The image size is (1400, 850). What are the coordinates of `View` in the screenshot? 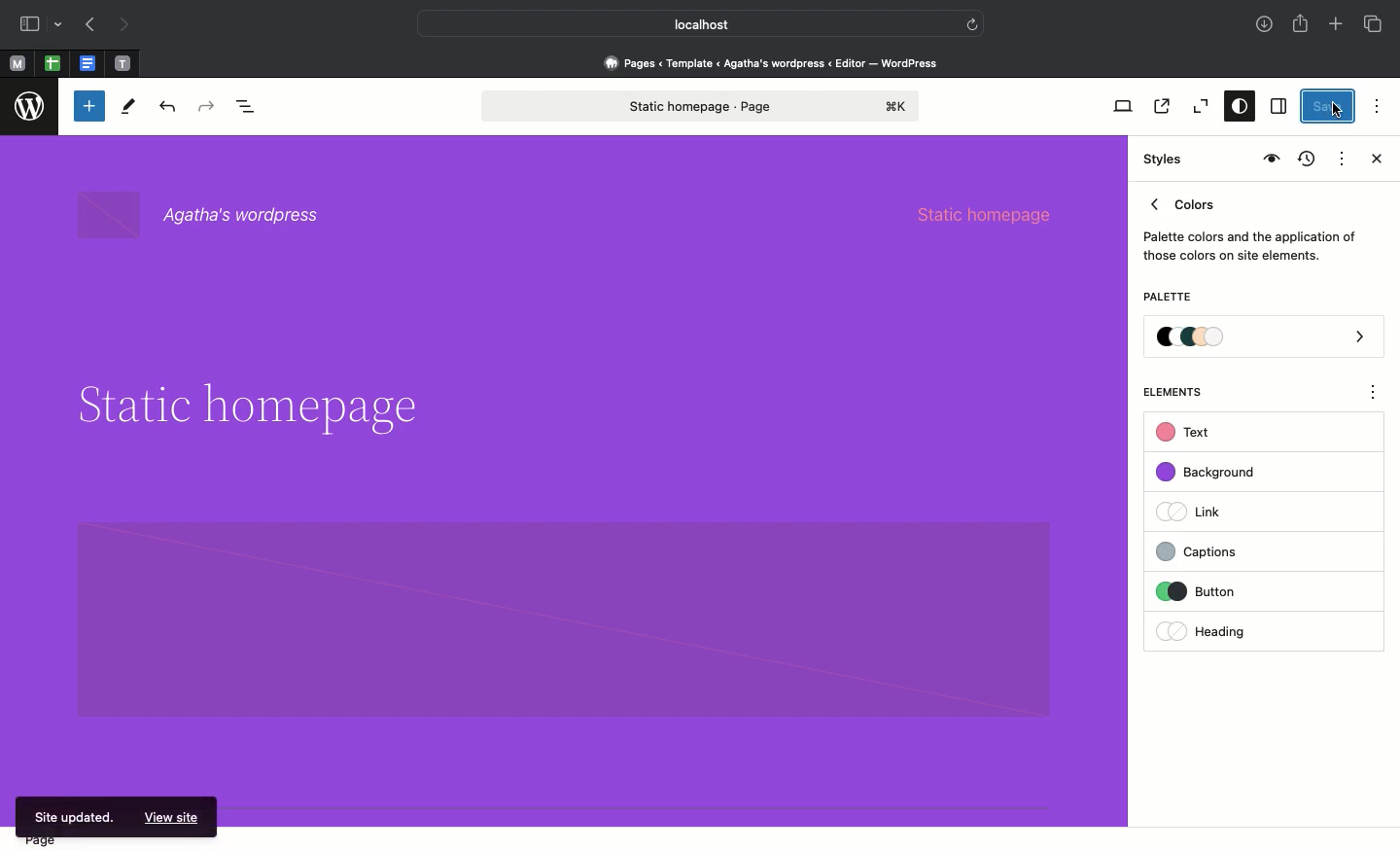 It's located at (1119, 106).